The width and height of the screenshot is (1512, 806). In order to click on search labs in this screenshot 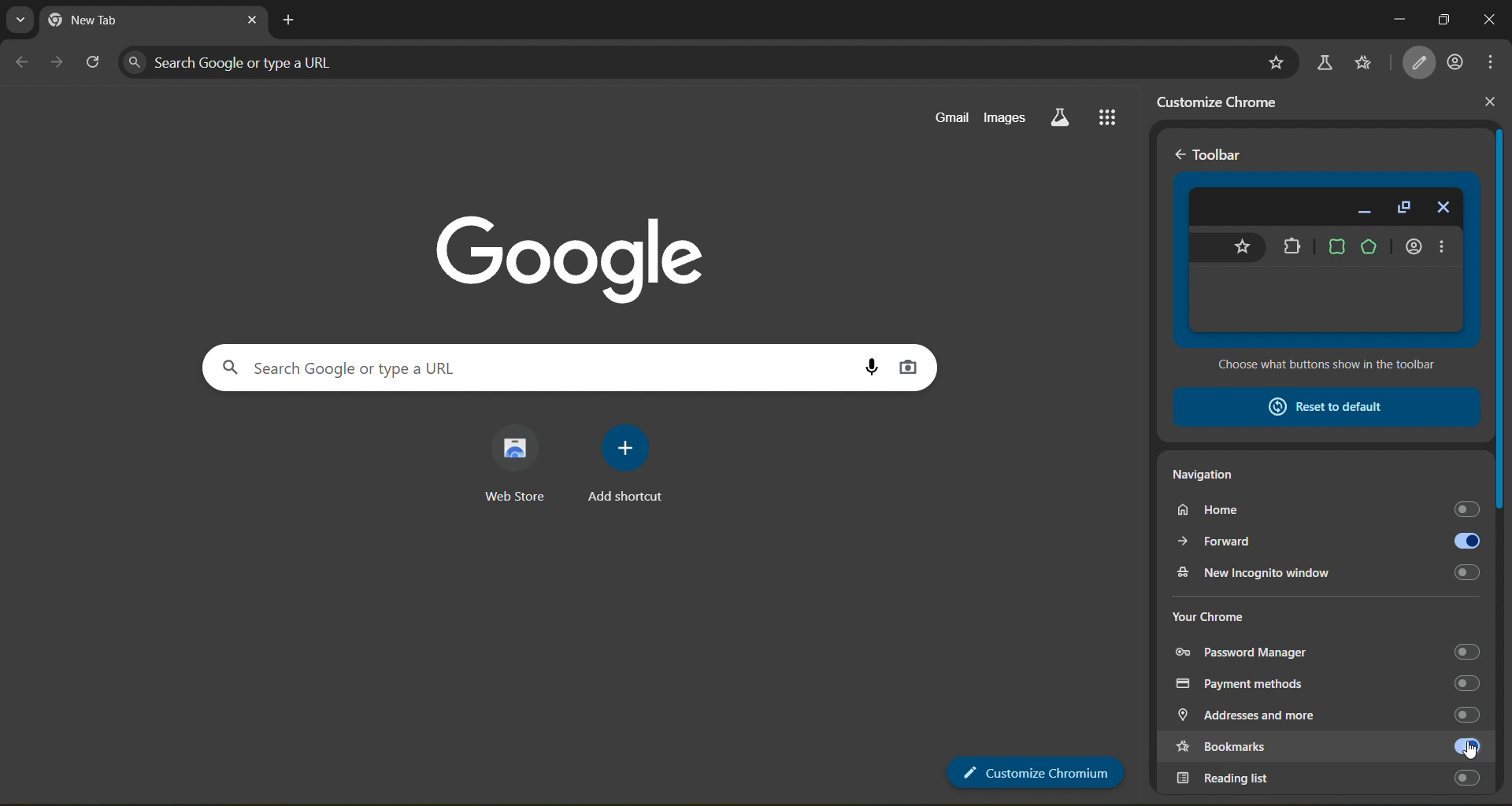, I will do `click(1060, 119)`.